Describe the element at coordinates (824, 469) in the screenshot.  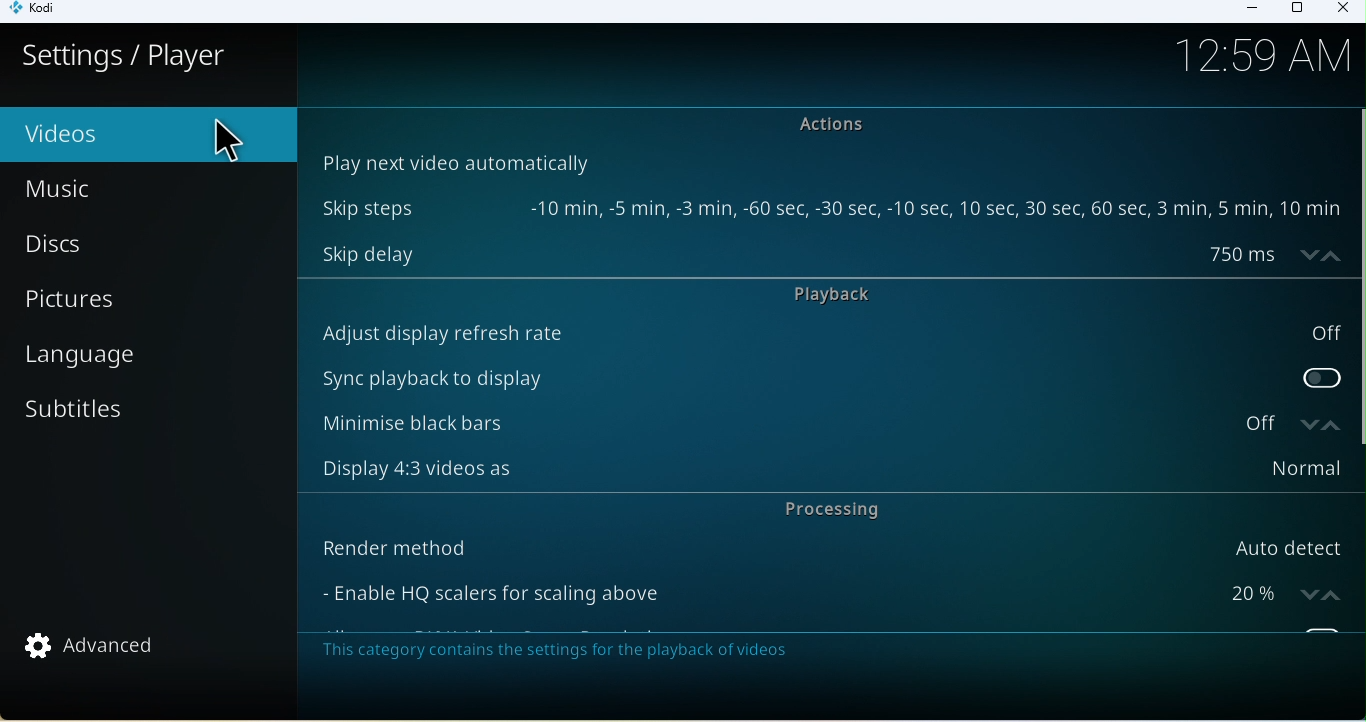
I see `Display 4:3 videos as` at that location.